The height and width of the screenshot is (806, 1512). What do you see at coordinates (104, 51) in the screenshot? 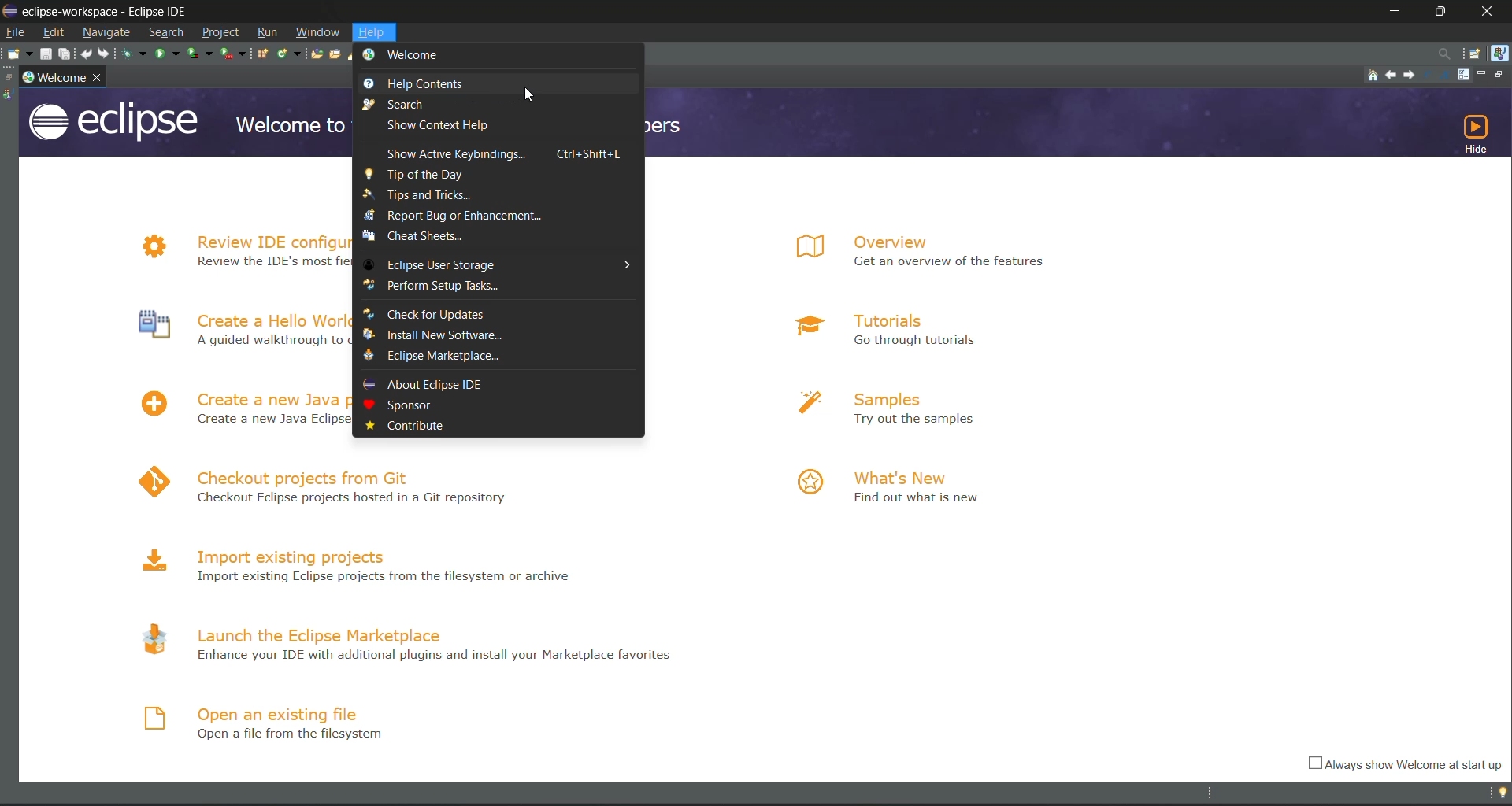
I see `redo` at bounding box center [104, 51].